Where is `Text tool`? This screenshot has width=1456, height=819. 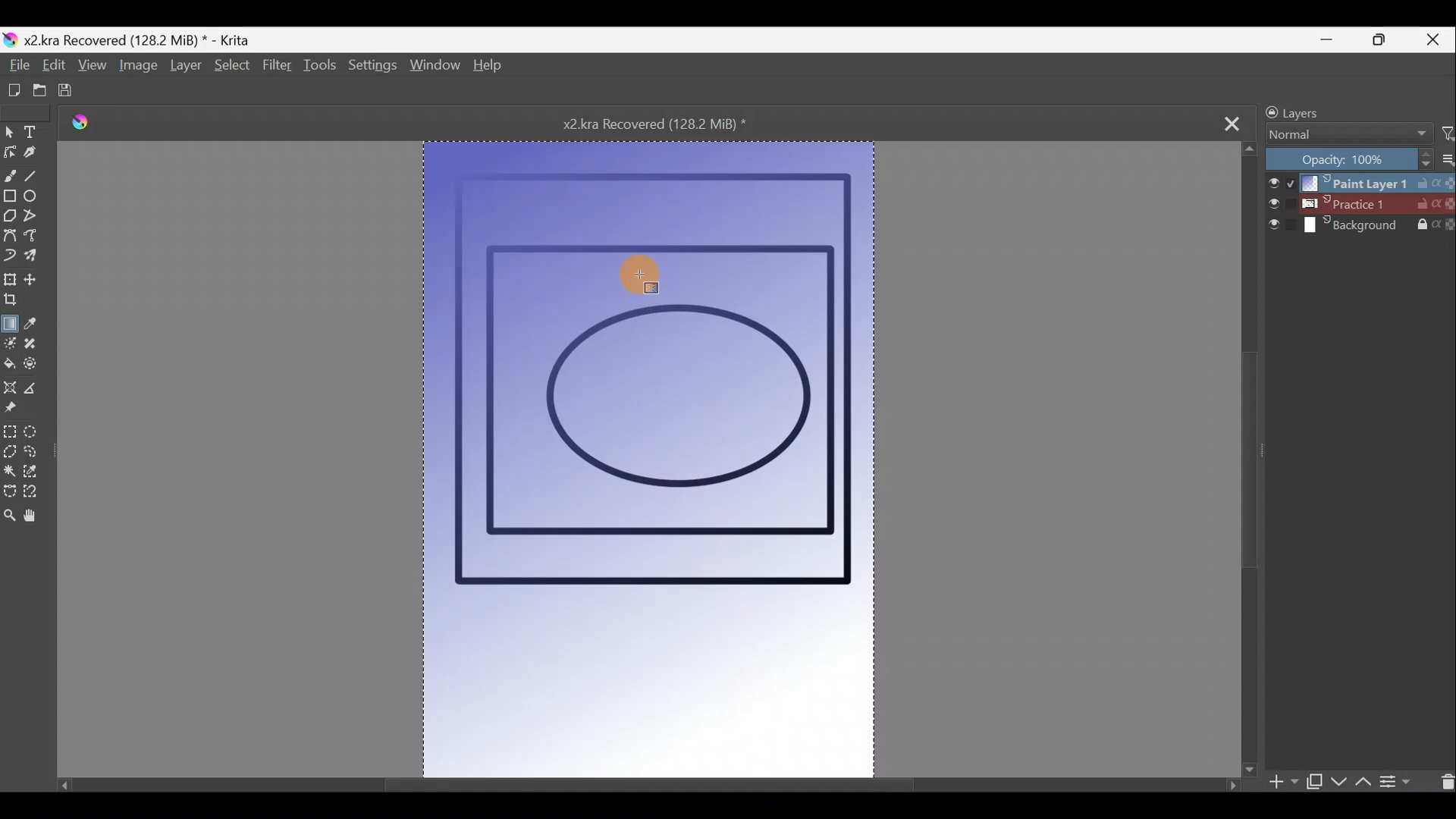 Text tool is located at coordinates (35, 132).